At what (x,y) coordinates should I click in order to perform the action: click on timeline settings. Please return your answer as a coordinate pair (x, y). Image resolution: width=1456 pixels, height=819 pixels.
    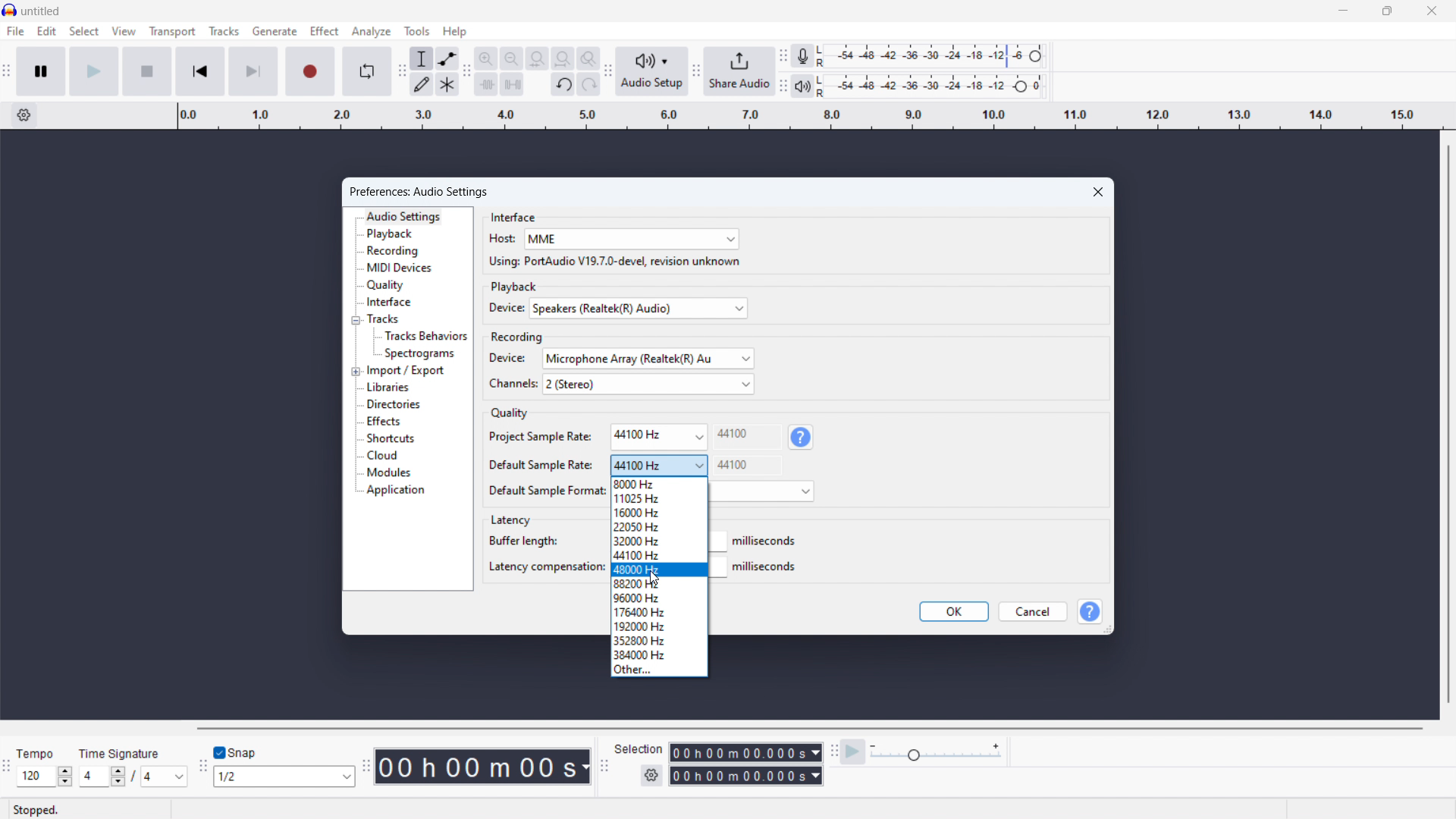
    Looking at the image, I should click on (24, 116).